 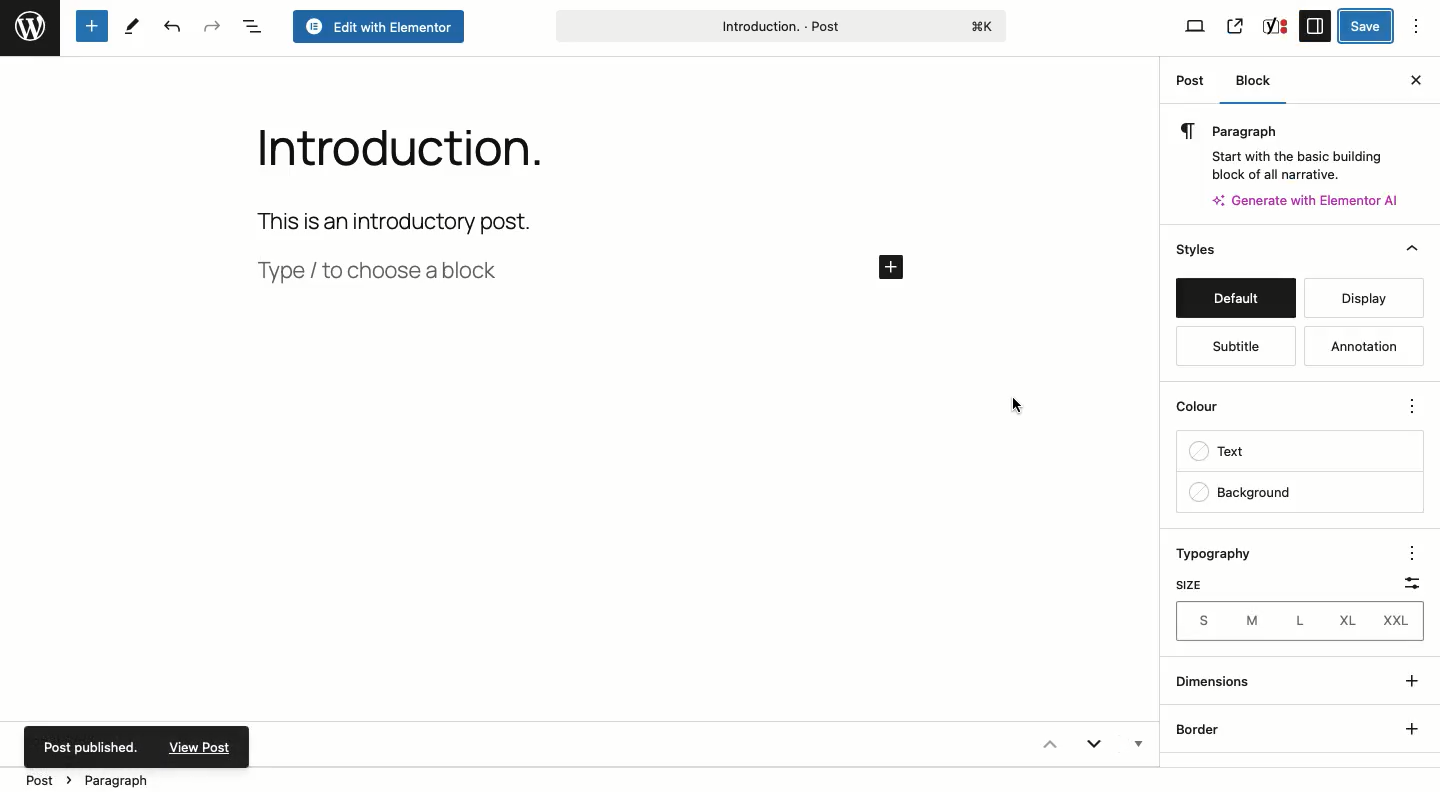 What do you see at coordinates (780, 24) in the screenshot?
I see `Introduction title` at bounding box center [780, 24].